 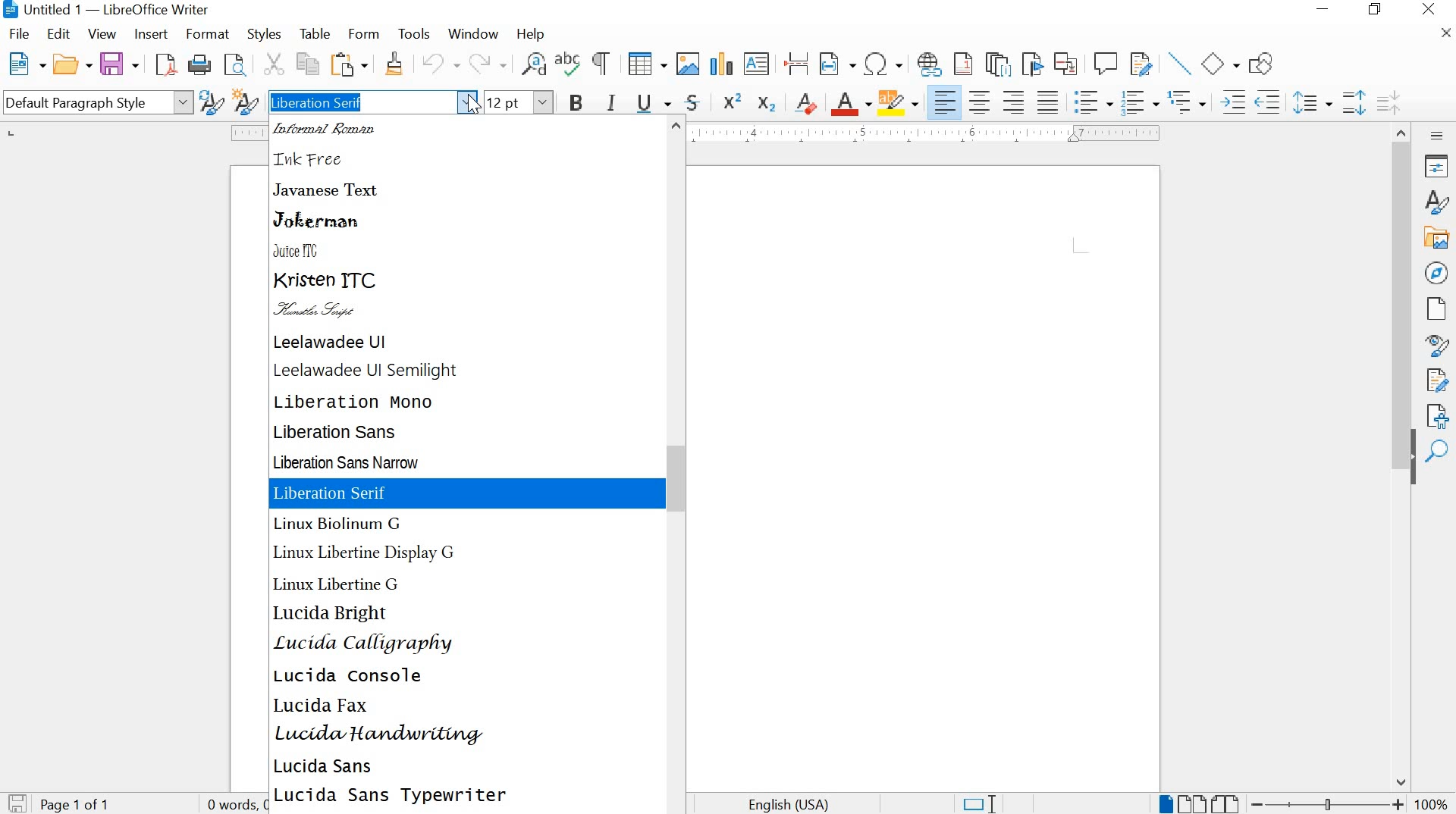 I want to click on INSERT COMMENT, so click(x=1106, y=64).